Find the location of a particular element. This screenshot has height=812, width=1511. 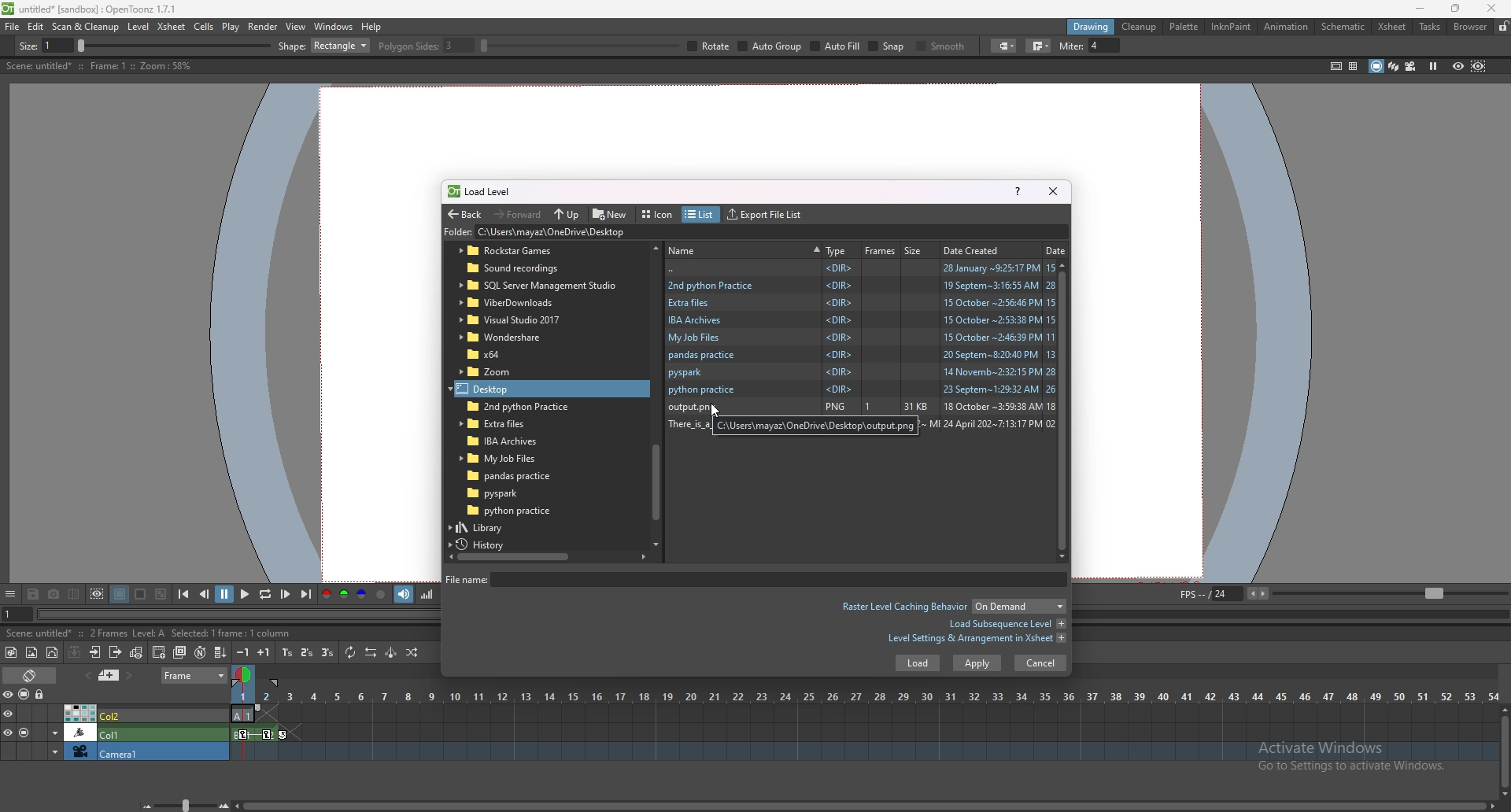

red channel is located at coordinates (325, 596).